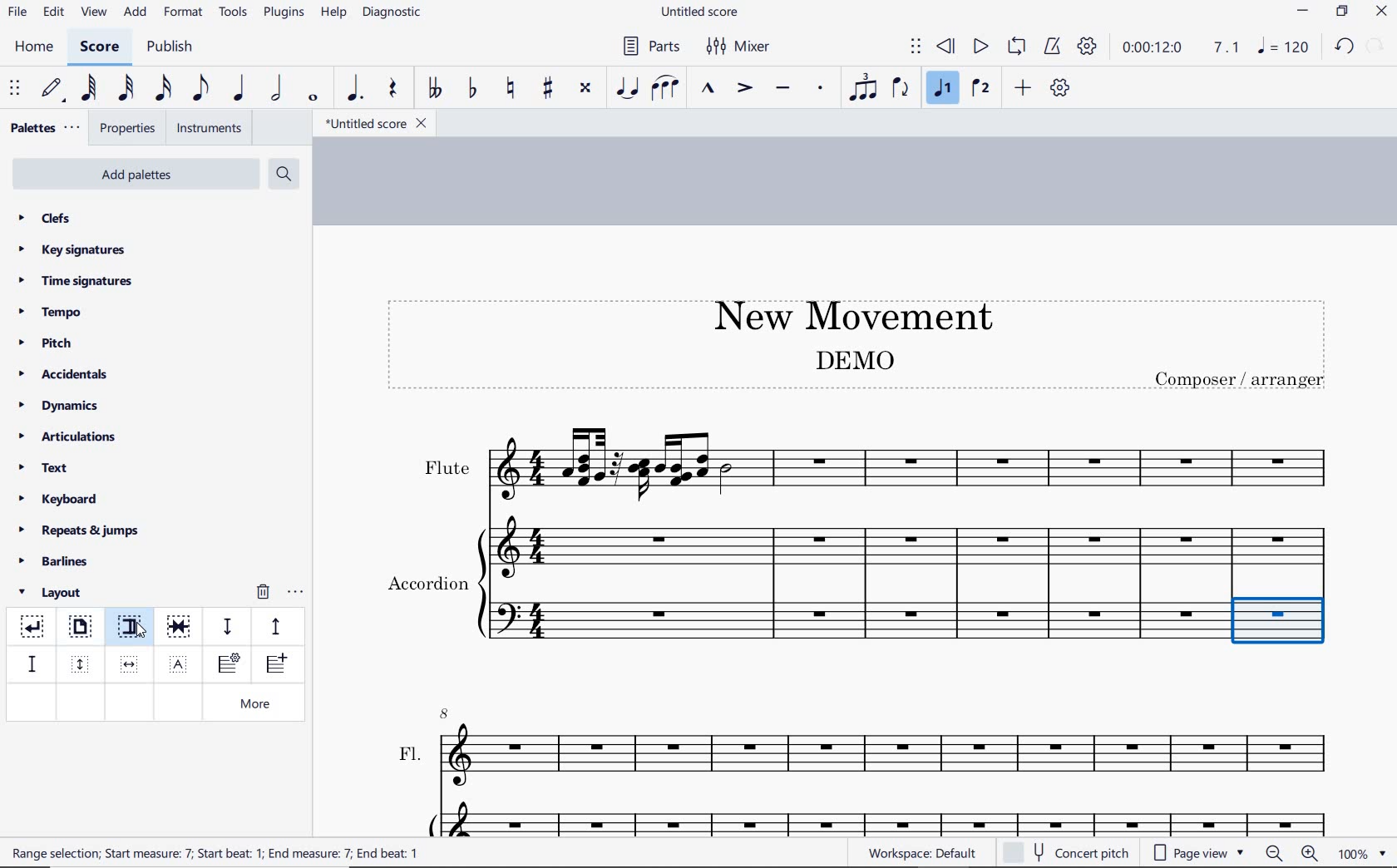  I want to click on Parts, so click(648, 47).